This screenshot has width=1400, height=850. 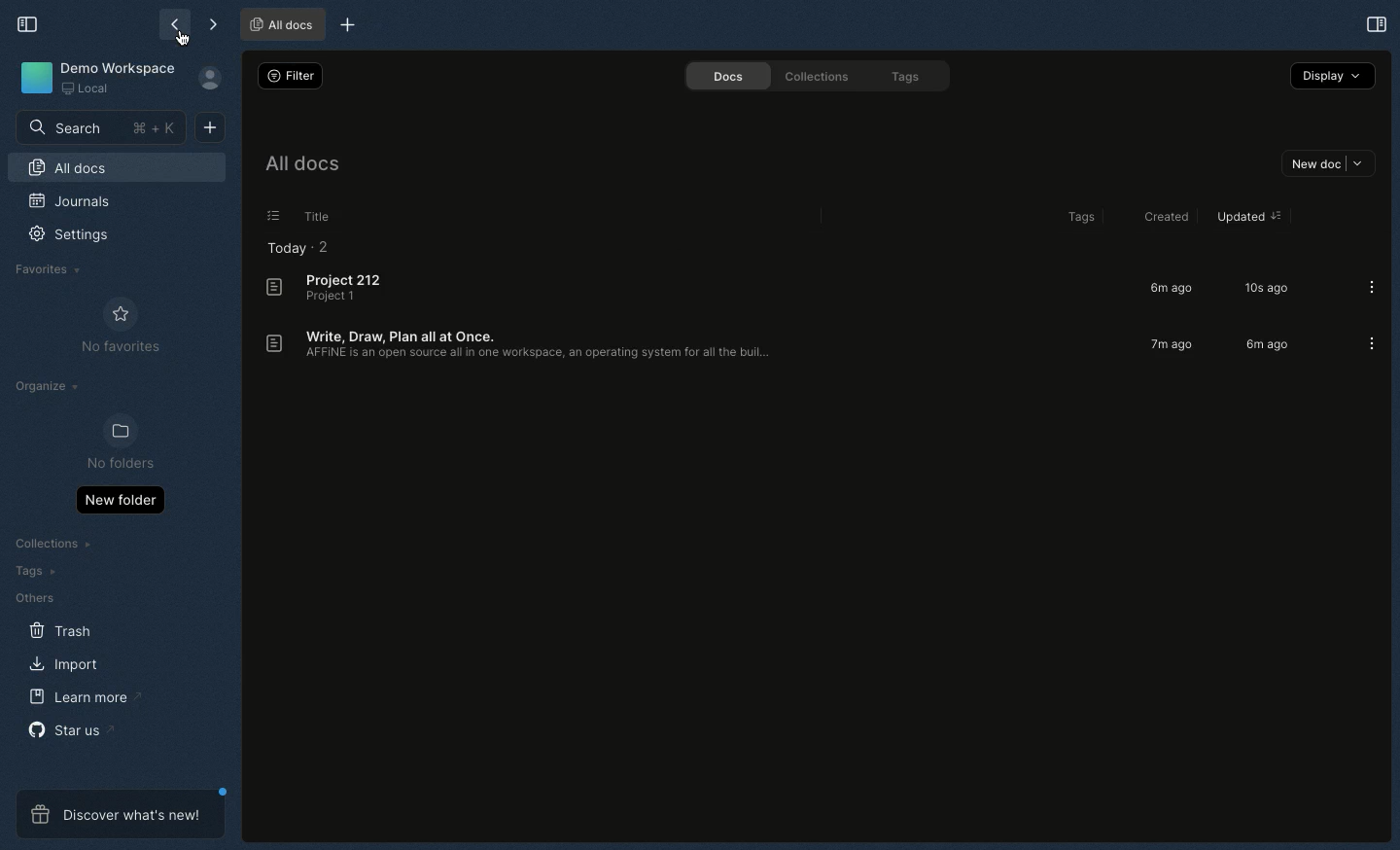 I want to click on Today - 2, so click(x=313, y=248).